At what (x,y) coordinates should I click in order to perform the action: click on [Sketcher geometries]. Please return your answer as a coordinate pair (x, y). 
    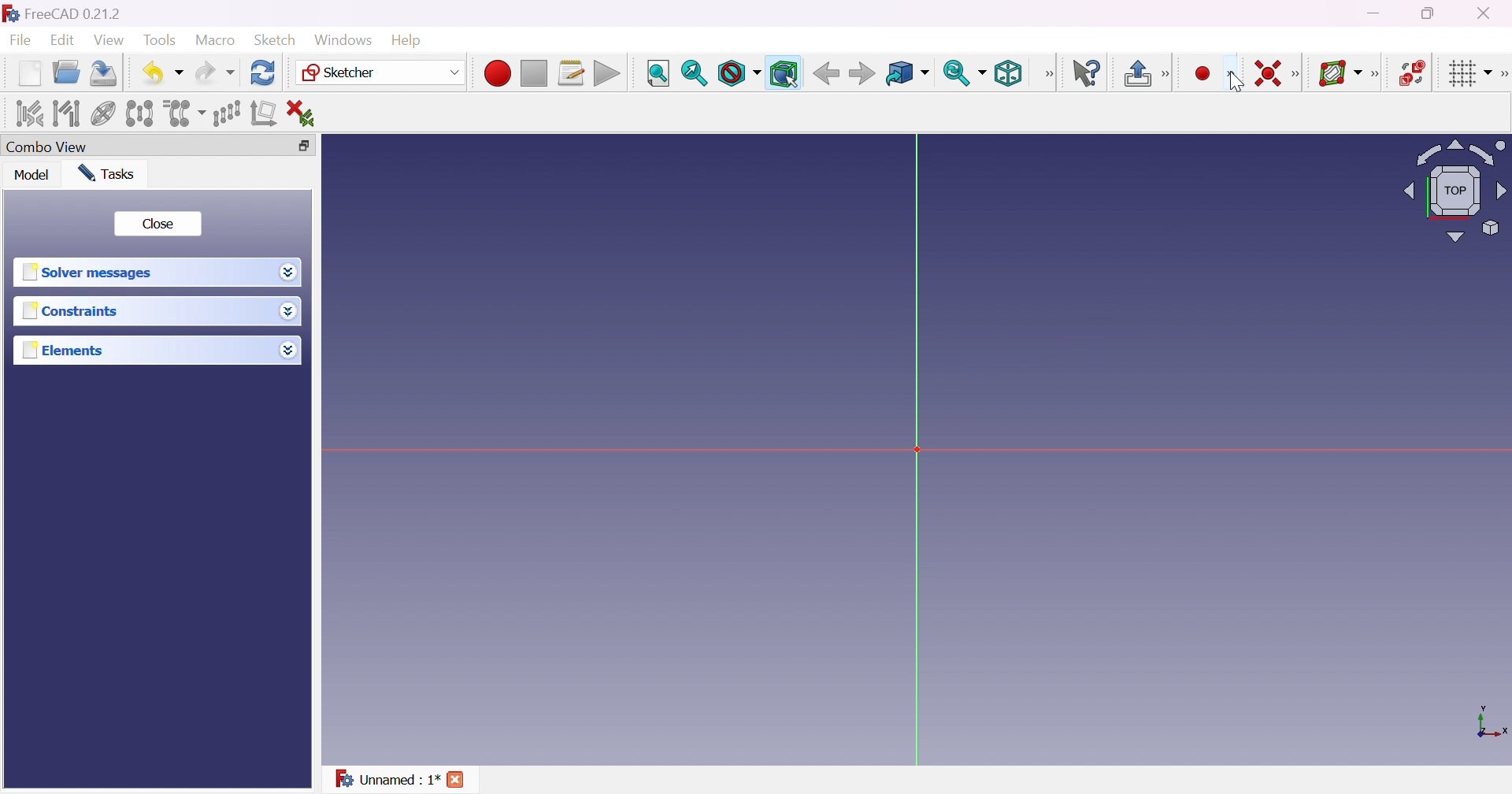
    Looking at the image, I should click on (1232, 72).